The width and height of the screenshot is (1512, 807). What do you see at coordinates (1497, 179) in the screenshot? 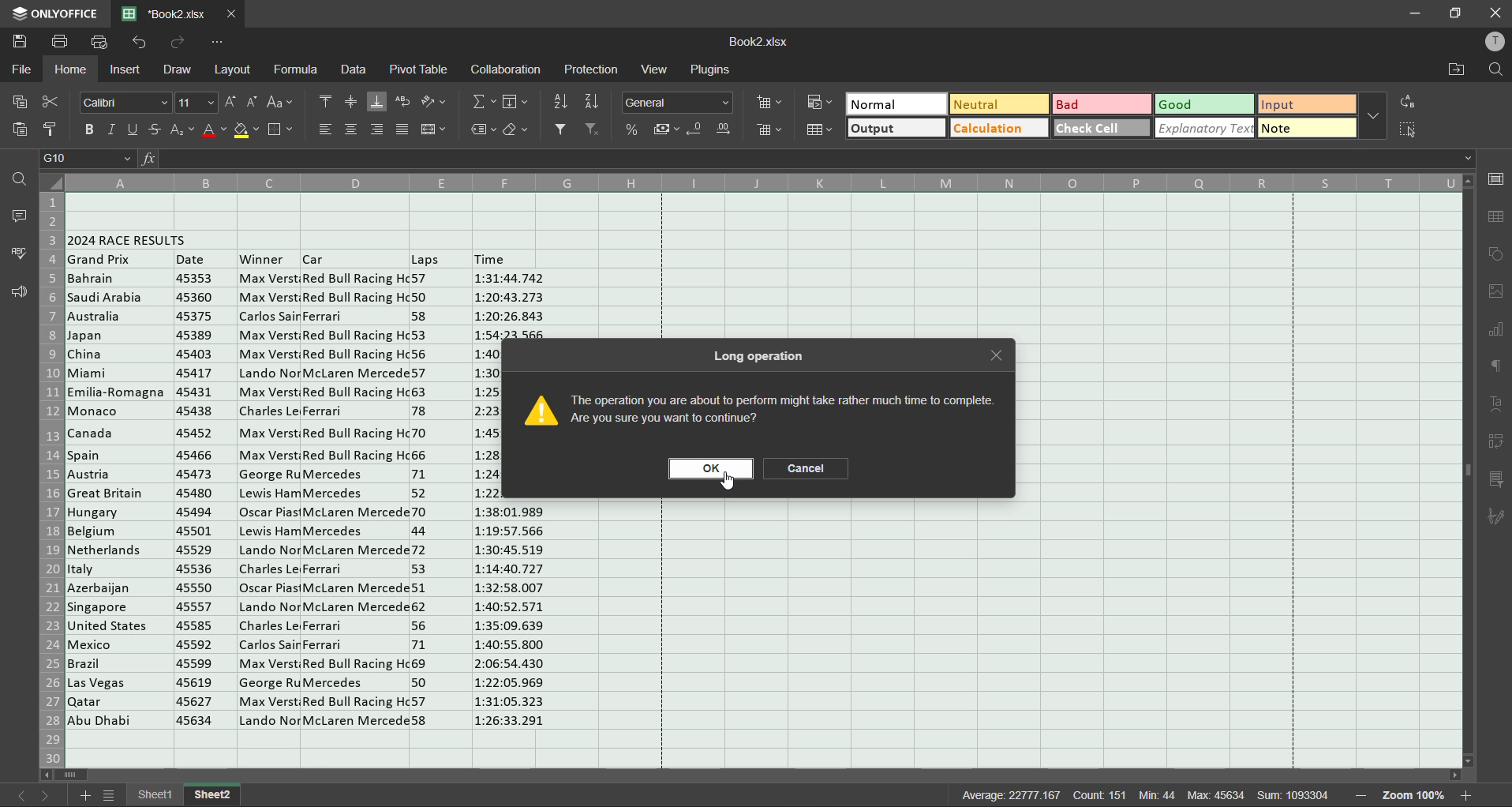
I see `cell settings` at bounding box center [1497, 179].